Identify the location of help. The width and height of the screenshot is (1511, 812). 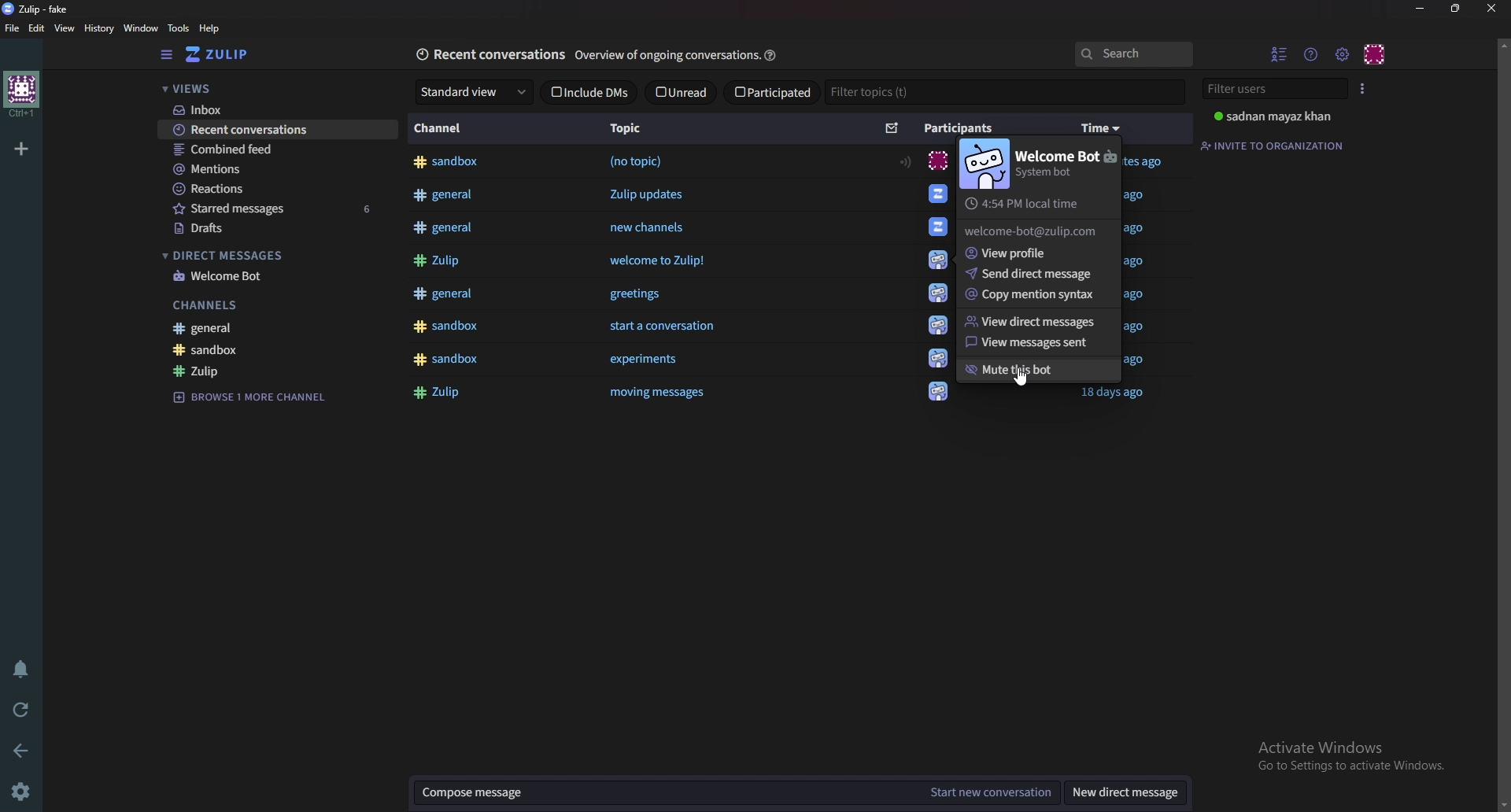
(777, 52).